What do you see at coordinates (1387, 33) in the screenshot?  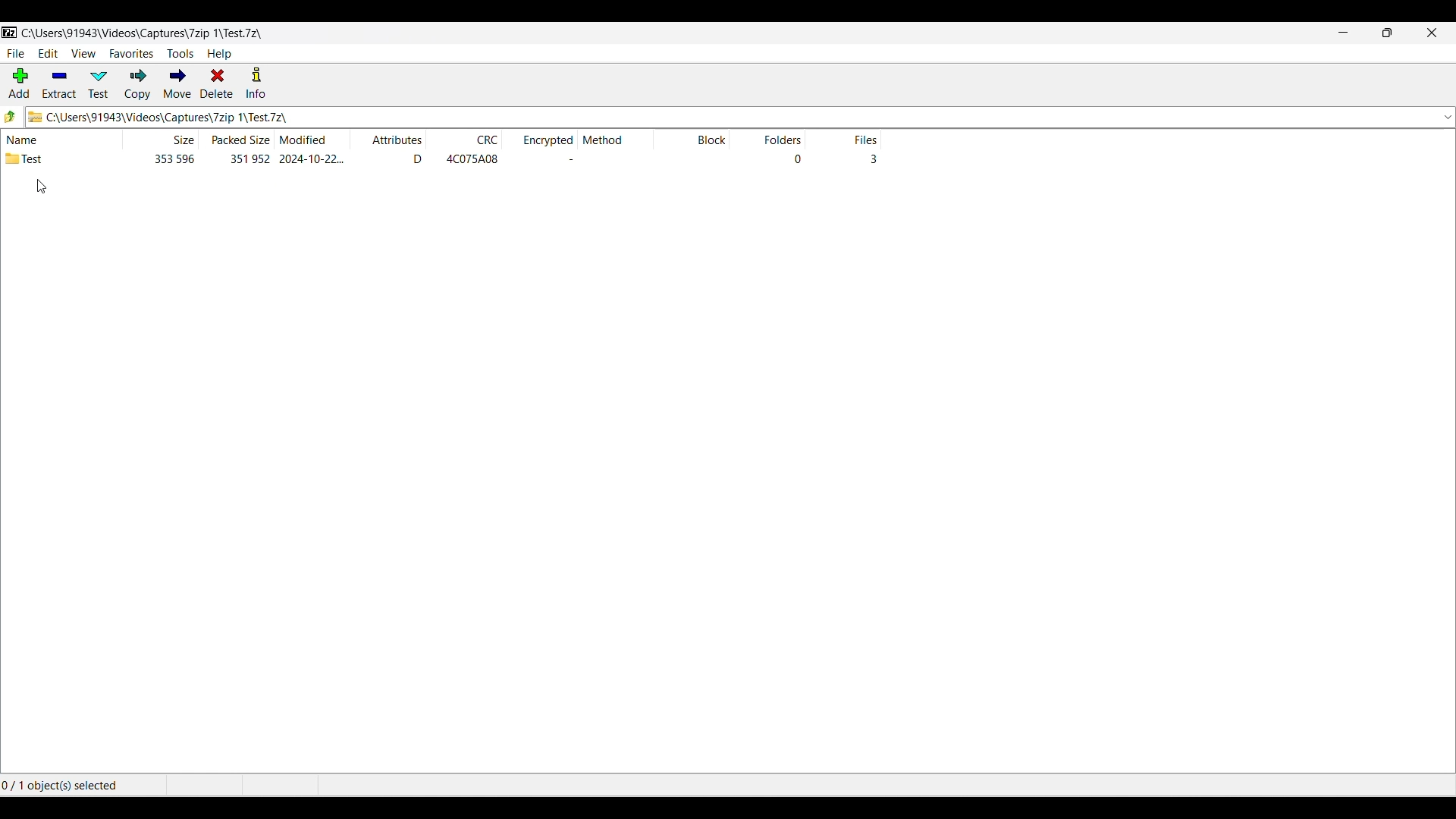 I see `Show interface in smaller tab` at bounding box center [1387, 33].